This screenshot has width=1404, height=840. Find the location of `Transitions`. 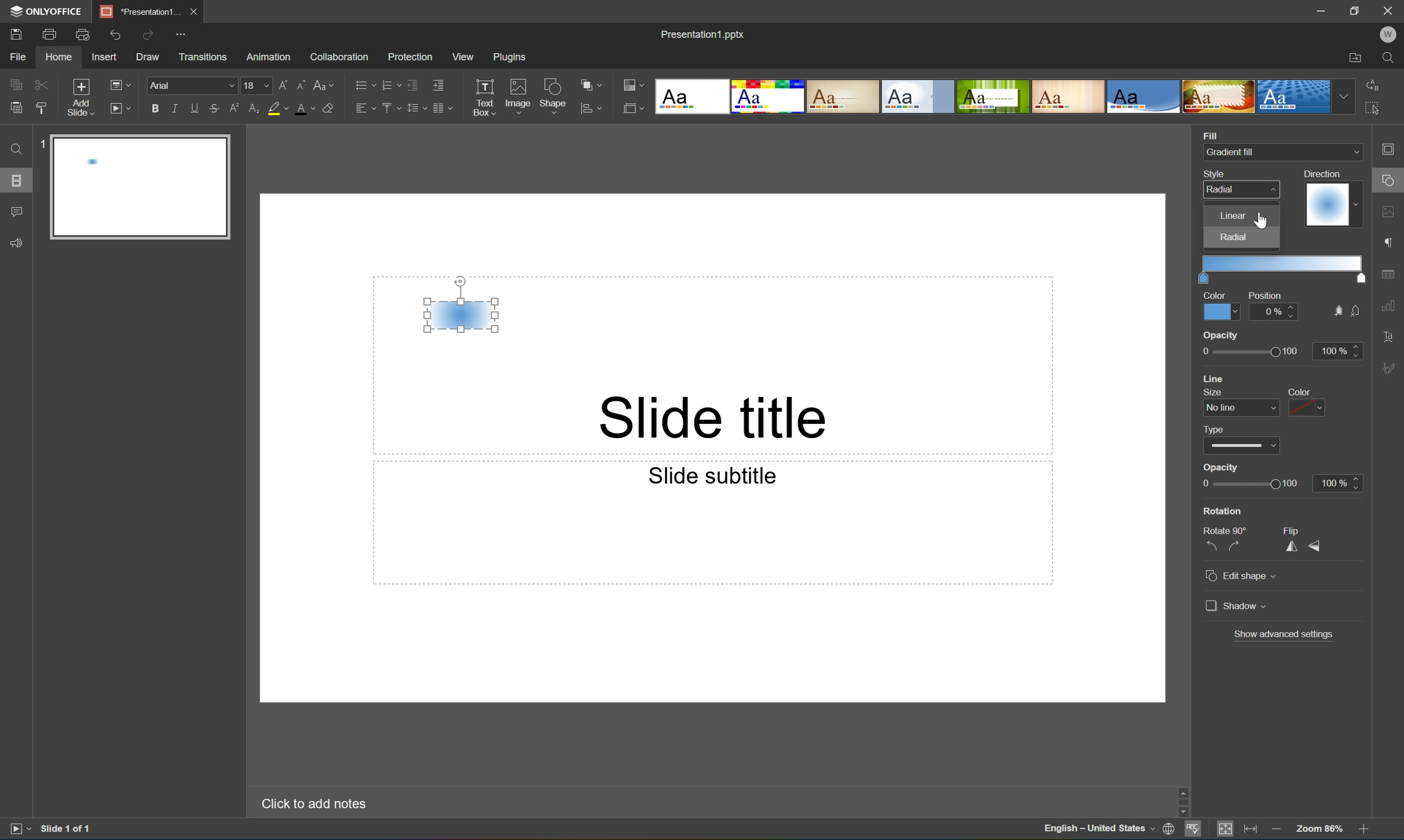

Transitions is located at coordinates (202, 56).